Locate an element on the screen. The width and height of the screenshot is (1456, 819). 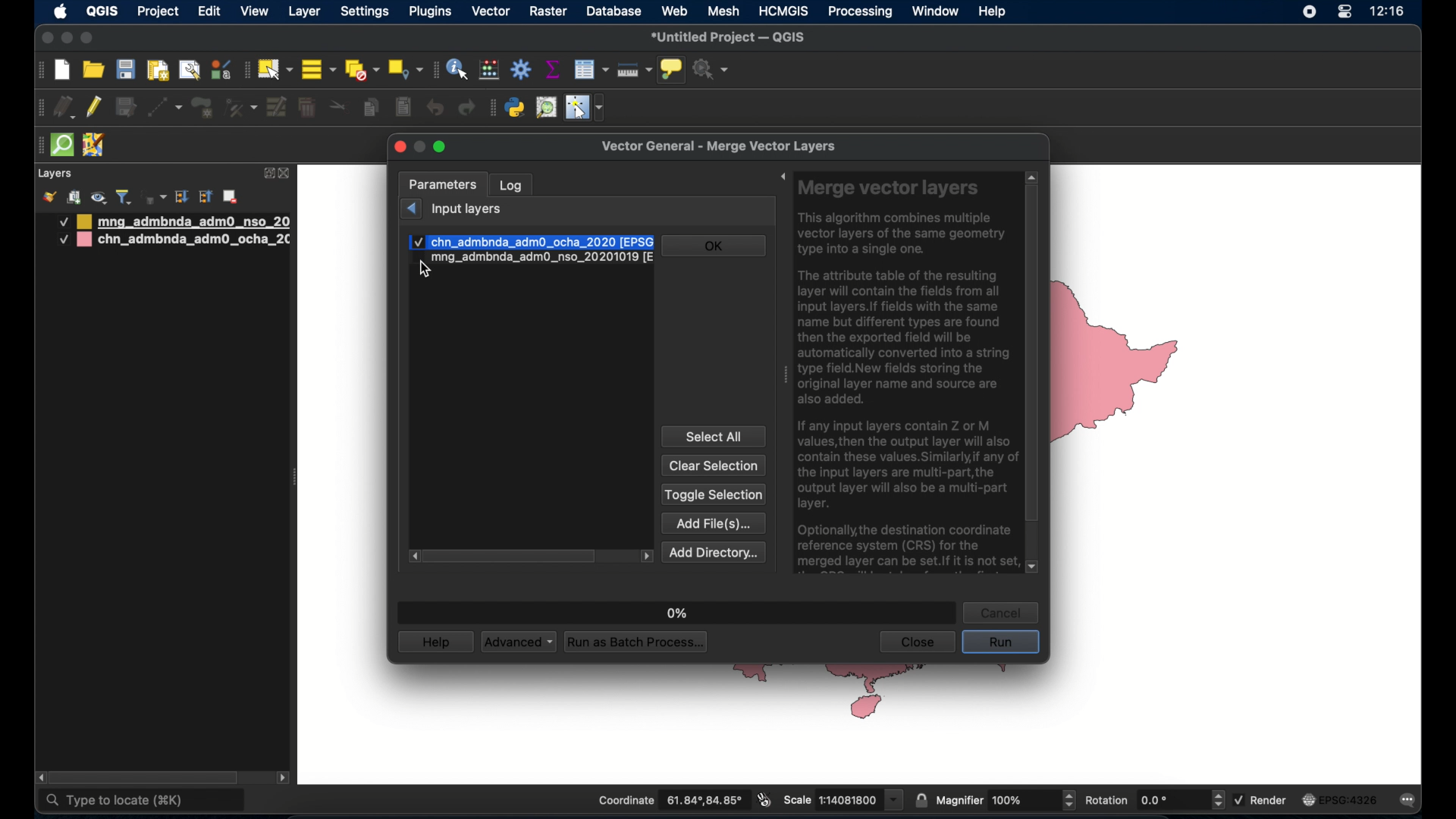
raster is located at coordinates (548, 12).